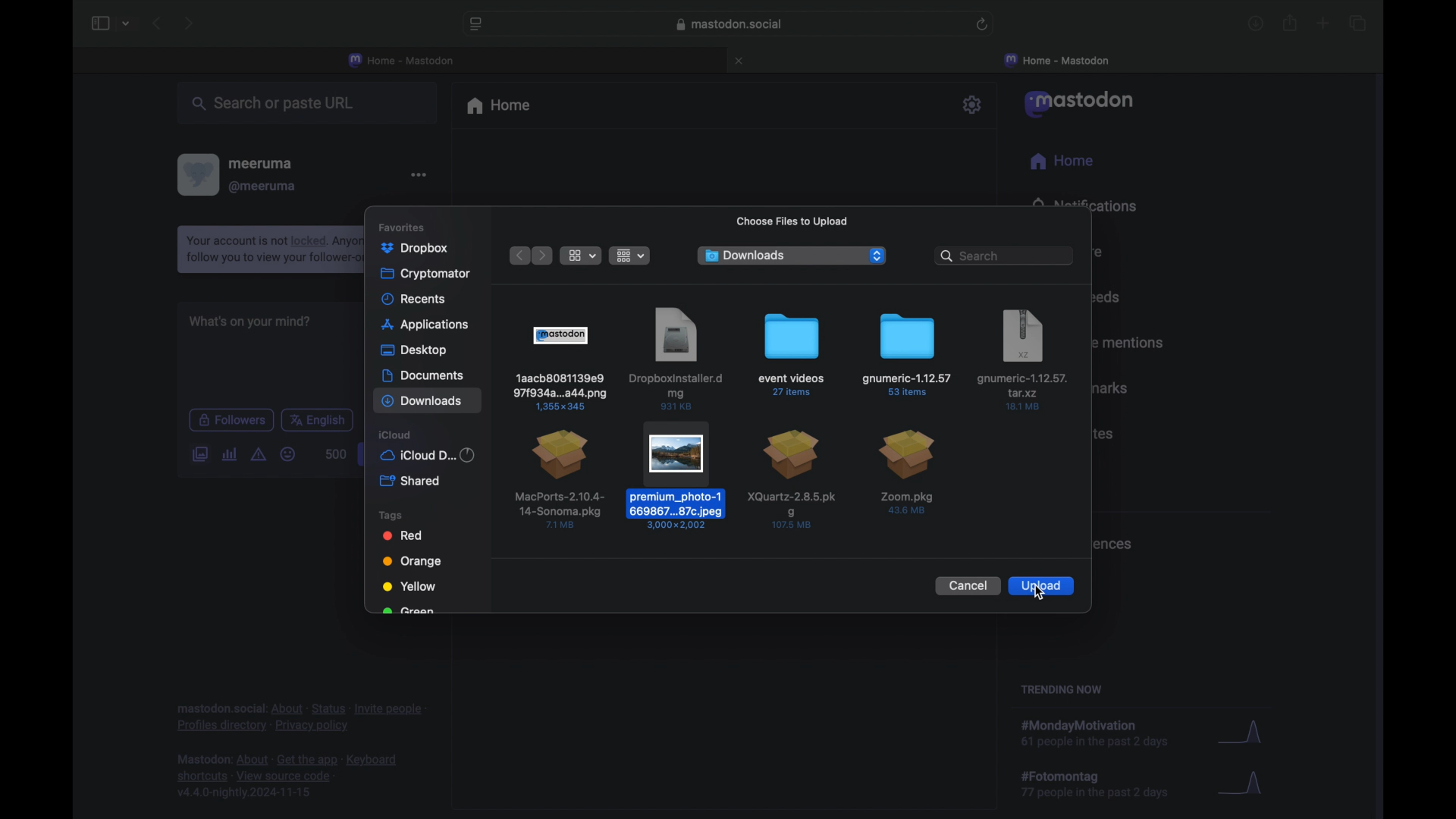 This screenshot has height=819, width=1456. I want to click on file, so click(1024, 360).